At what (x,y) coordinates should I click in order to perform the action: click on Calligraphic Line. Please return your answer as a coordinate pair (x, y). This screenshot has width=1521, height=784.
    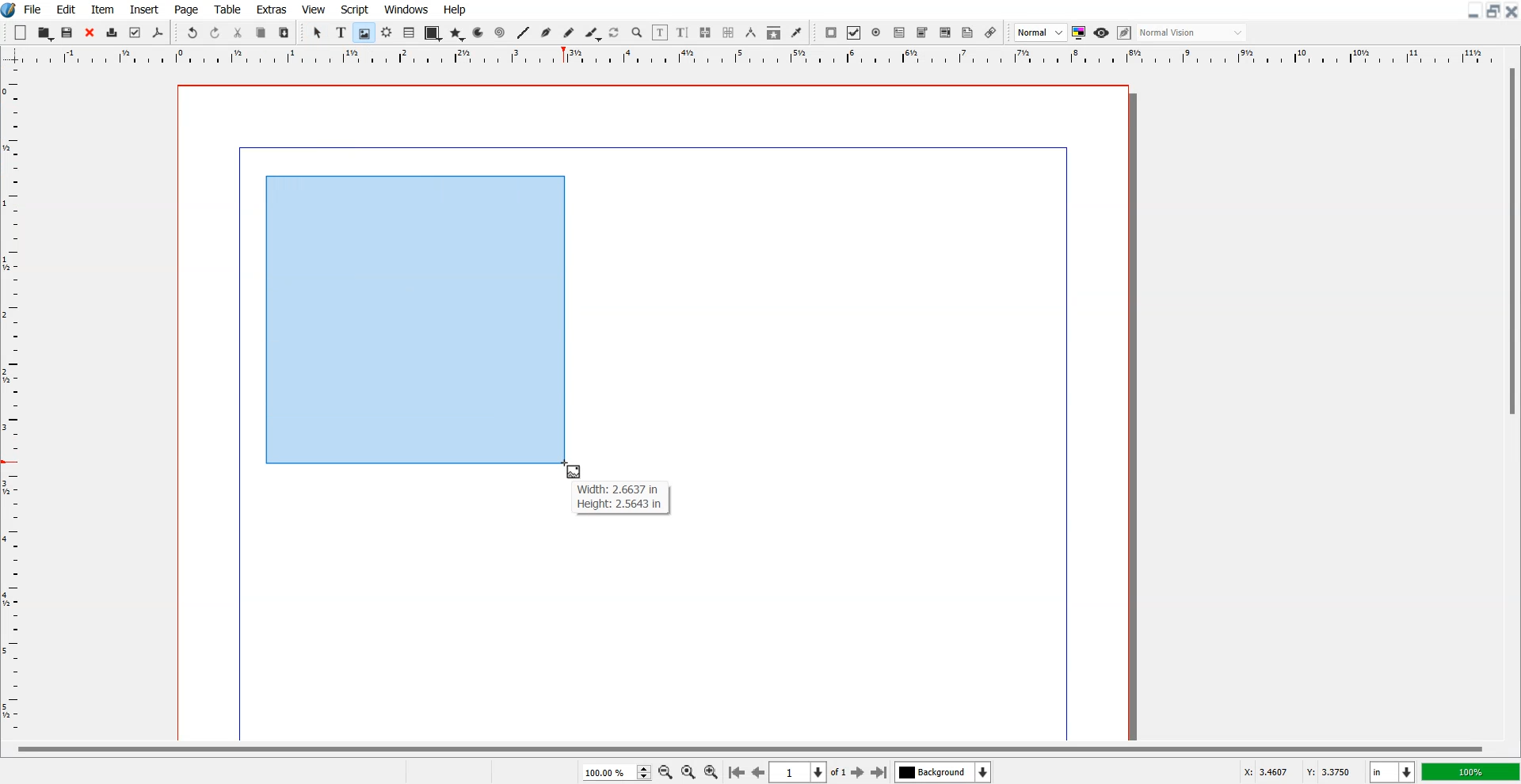
    Looking at the image, I should click on (592, 33).